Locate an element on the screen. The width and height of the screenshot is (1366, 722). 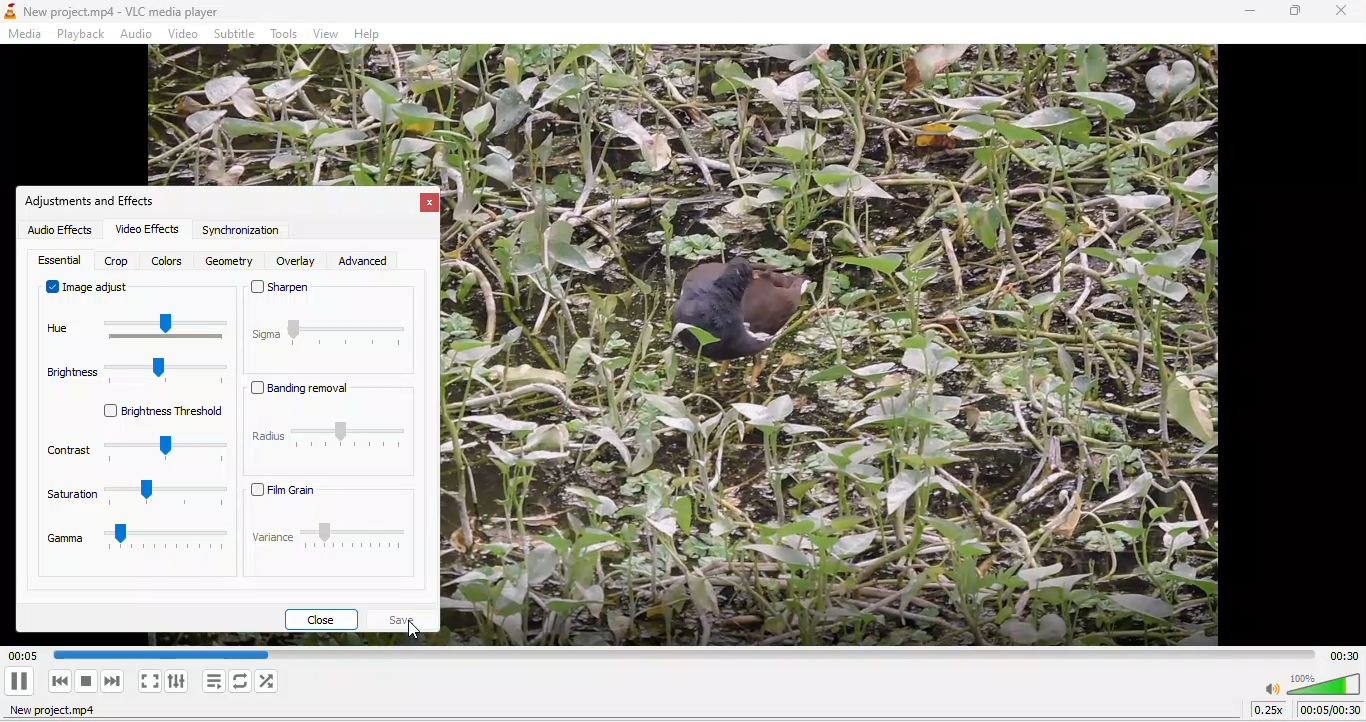
image adjust is located at coordinates (89, 290).